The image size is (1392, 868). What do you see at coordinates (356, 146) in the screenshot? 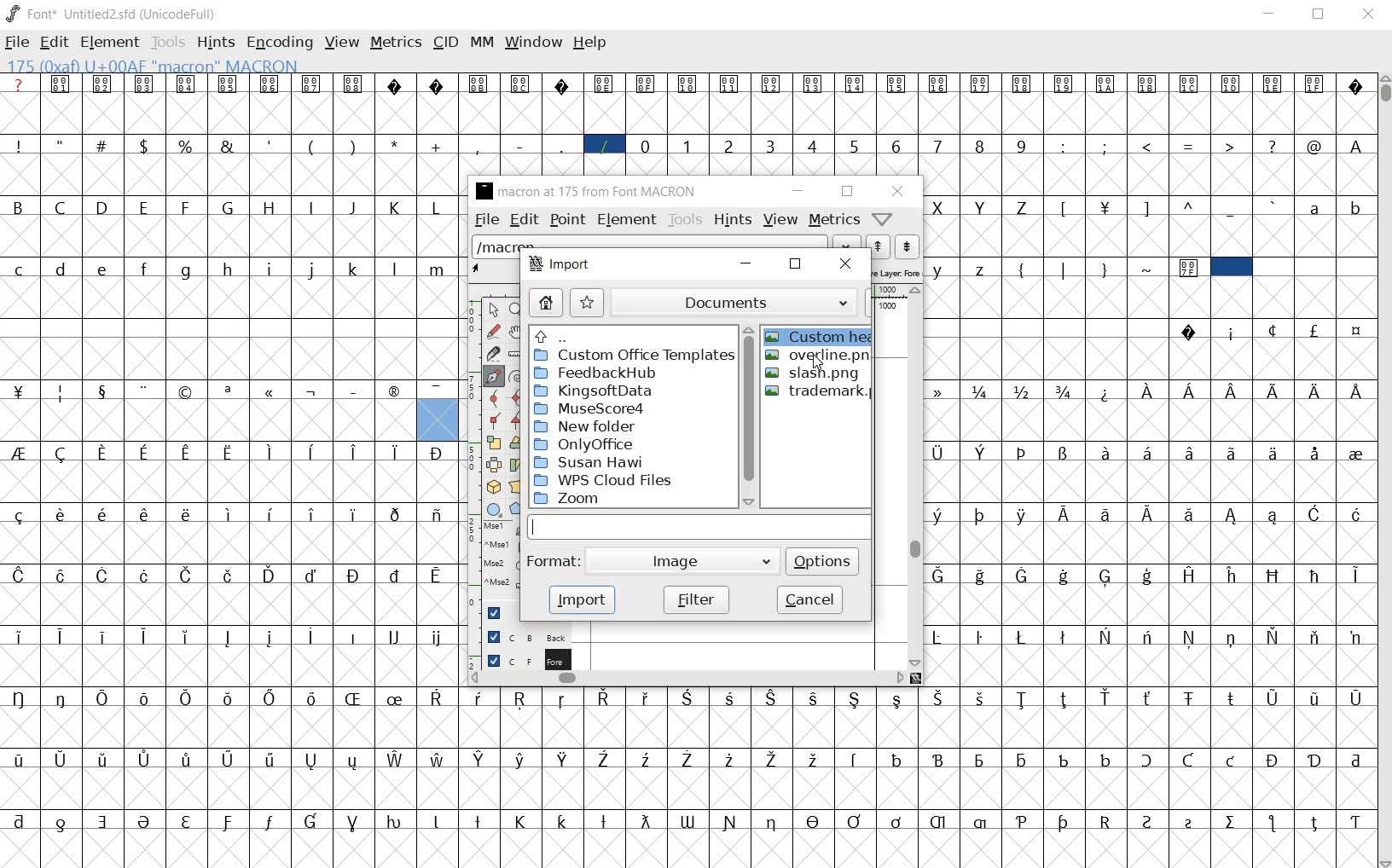
I see `)` at bounding box center [356, 146].